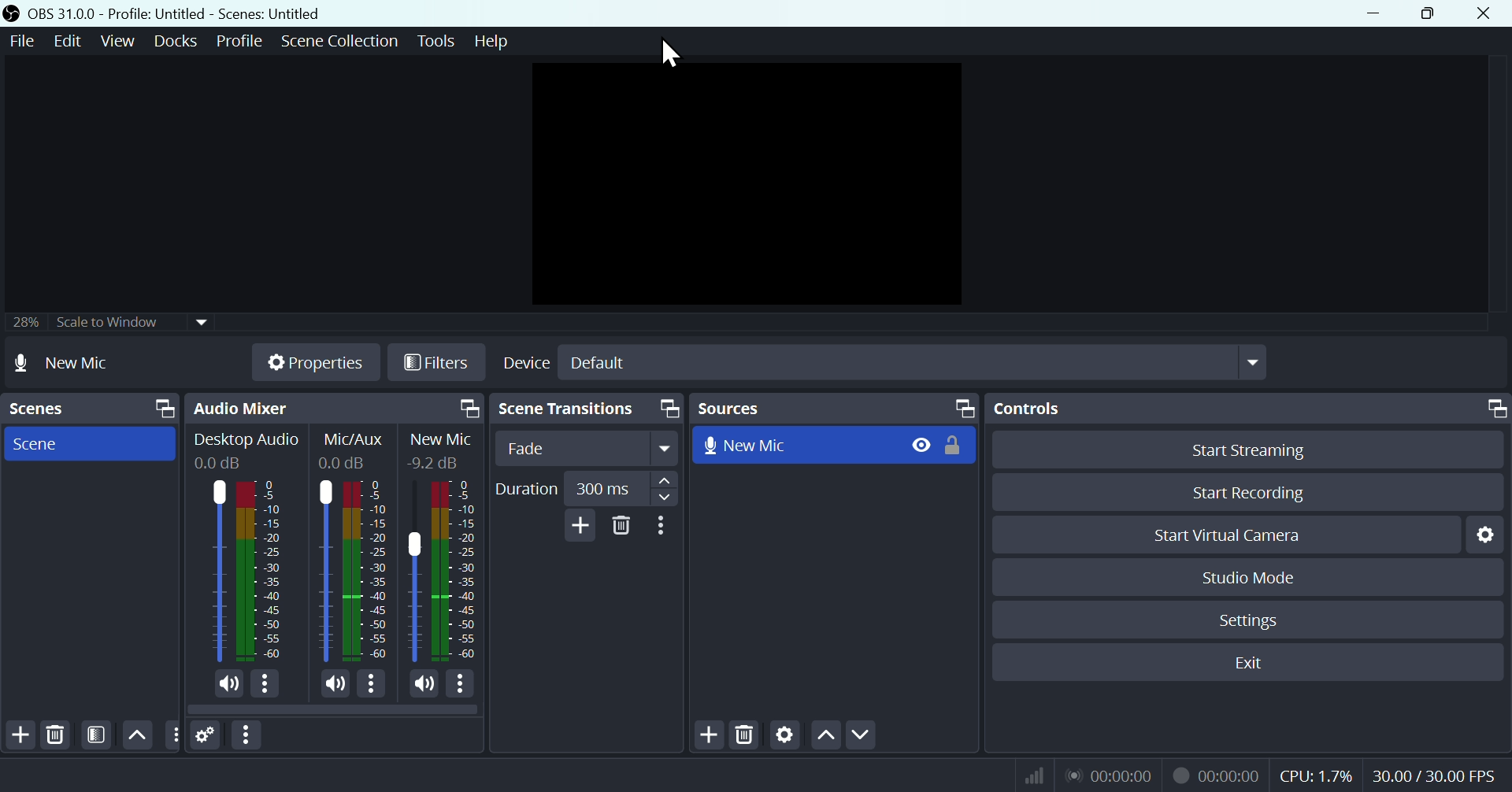  I want to click on File, so click(20, 42).